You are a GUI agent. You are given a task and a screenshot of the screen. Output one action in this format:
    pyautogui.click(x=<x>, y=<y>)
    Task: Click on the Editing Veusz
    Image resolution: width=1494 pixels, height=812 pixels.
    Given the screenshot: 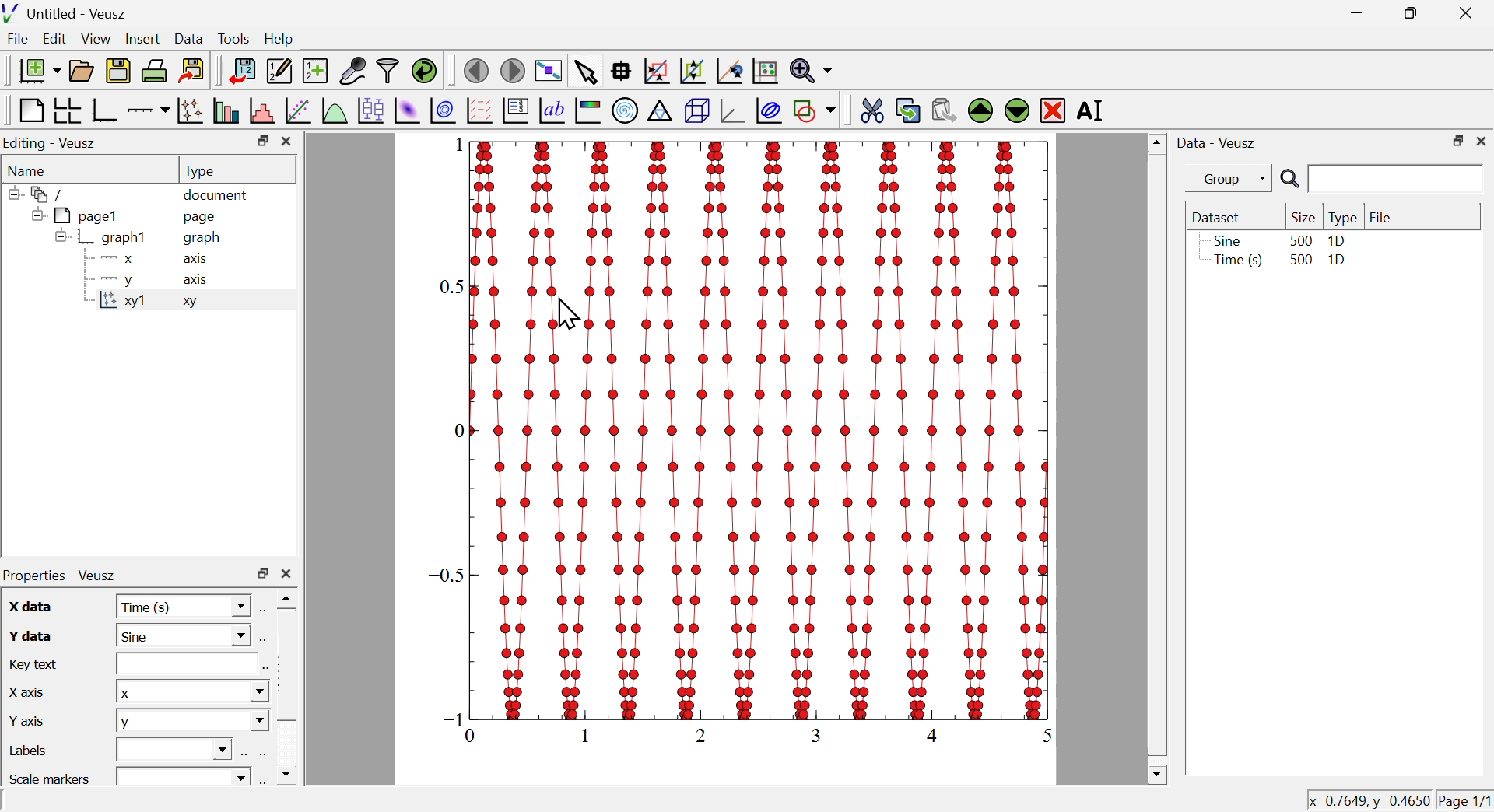 What is the action you would take?
    pyautogui.click(x=53, y=143)
    